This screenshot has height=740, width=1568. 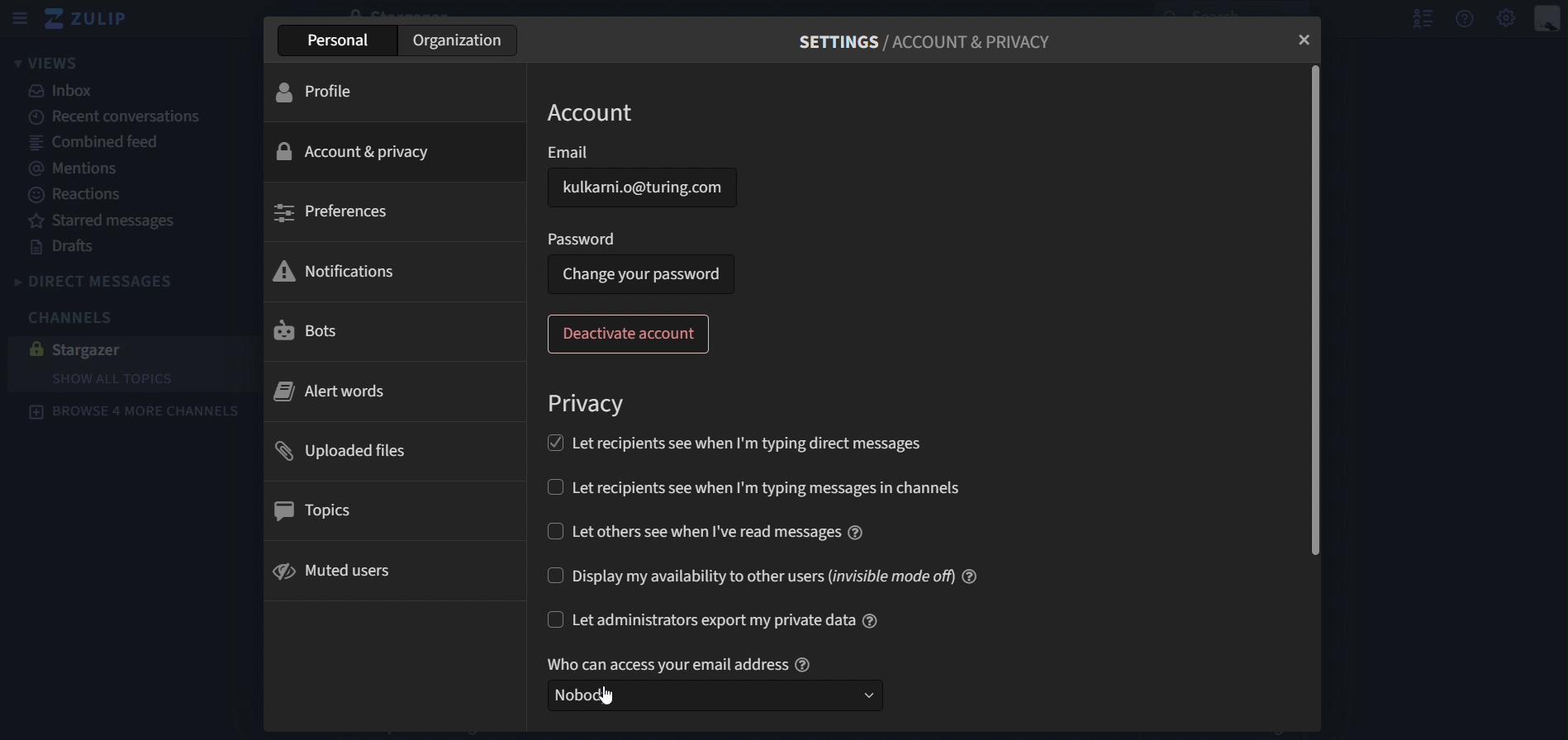 I want to click on zulip, so click(x=93, y=20).